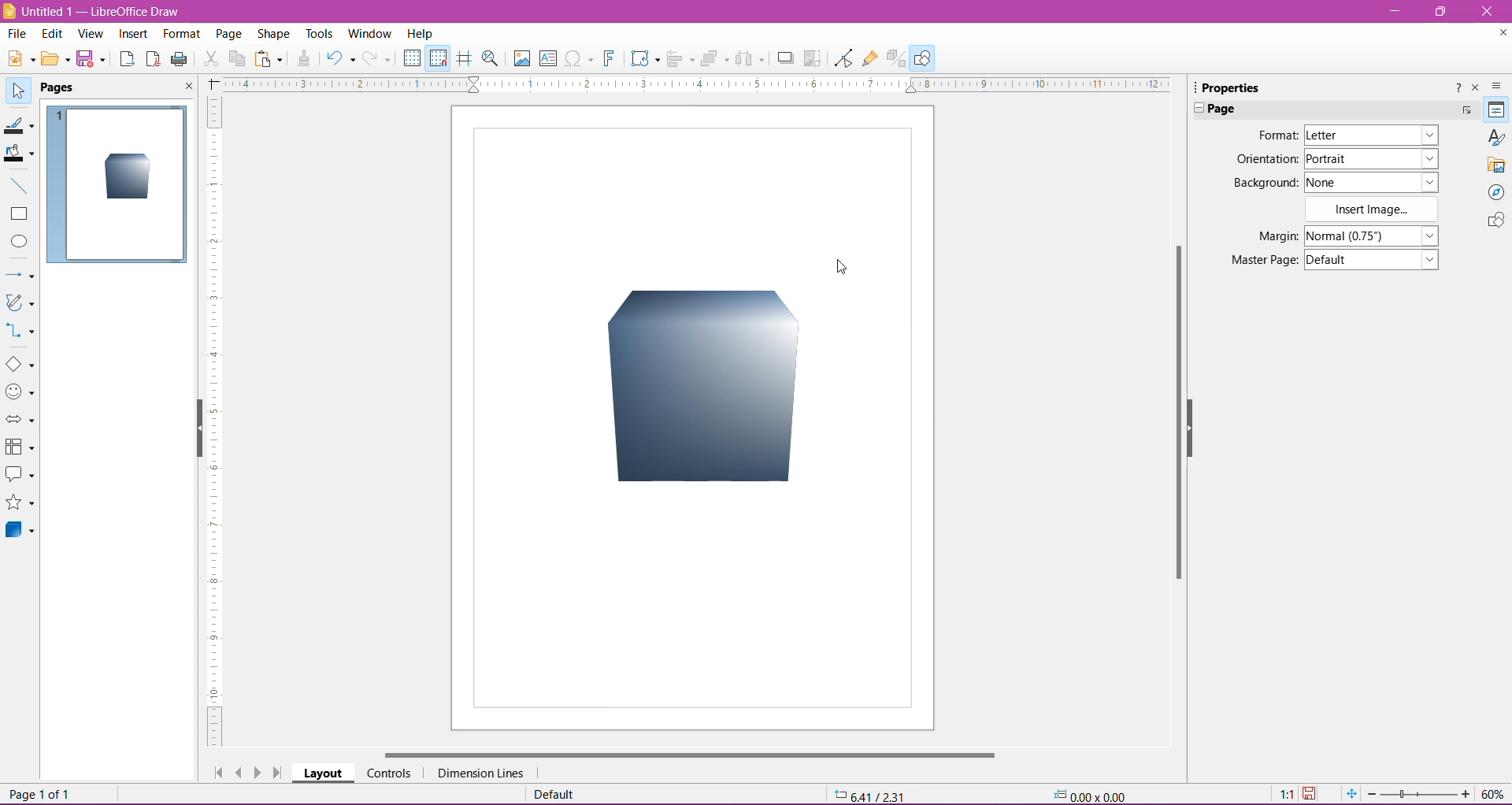 This screenshot has width=1512, height=805. What do you see at coordinates (1456, 91) in the screenshot?
I see `Help about this sidebar deck` at bounding box center [1456, 91].